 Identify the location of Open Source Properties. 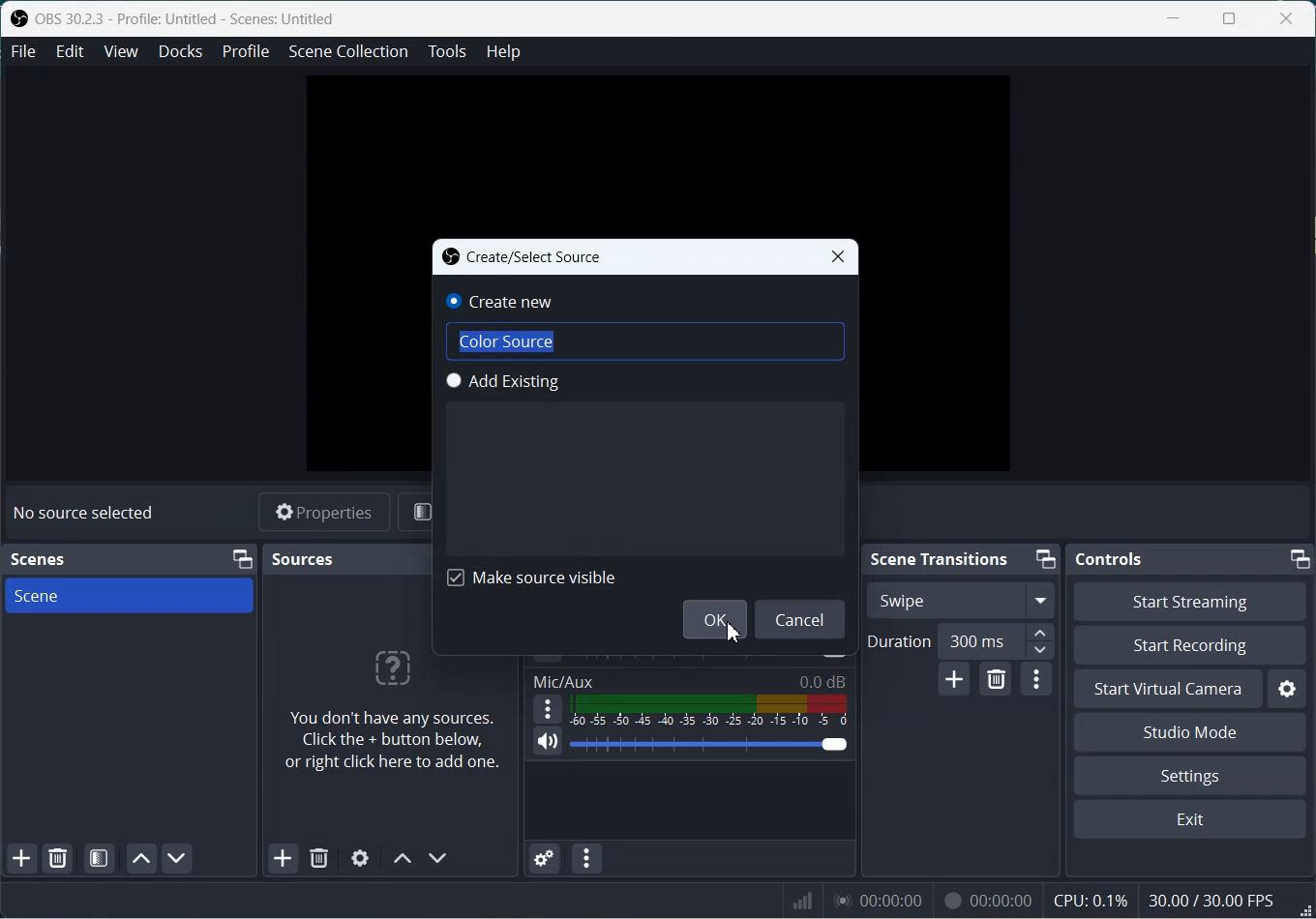
(360, 856).